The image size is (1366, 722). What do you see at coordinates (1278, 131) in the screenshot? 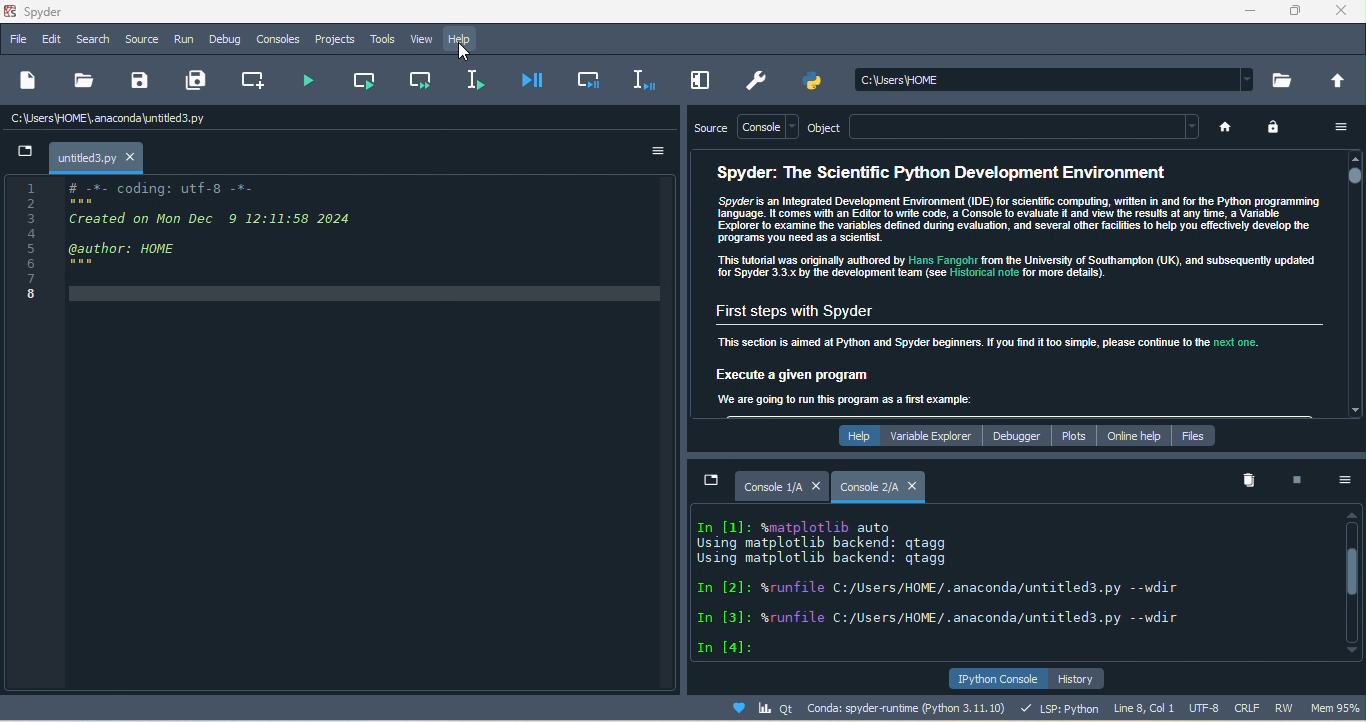
I see `lock` at bounding box center [1278, 131].